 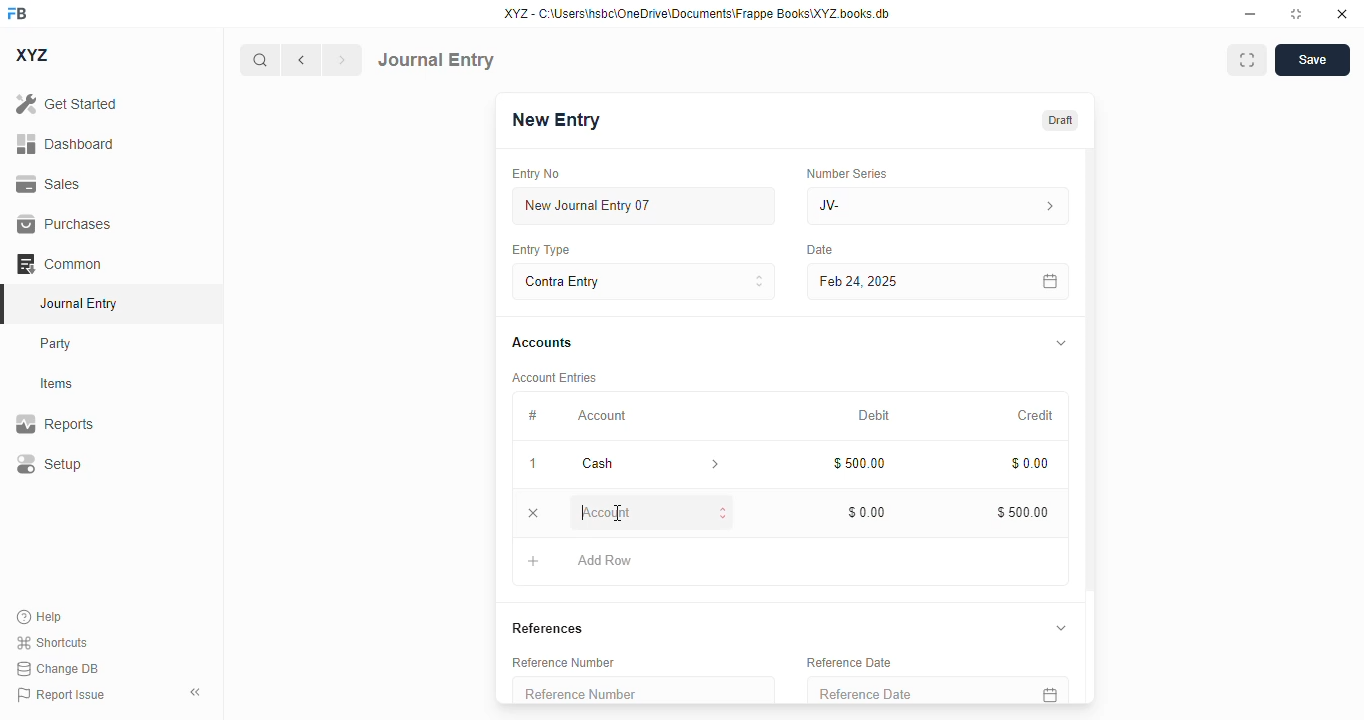 What do you see at coordinates (868, 512) in the screenshot?
I see `$0.00` at bounding box center [868, 512].